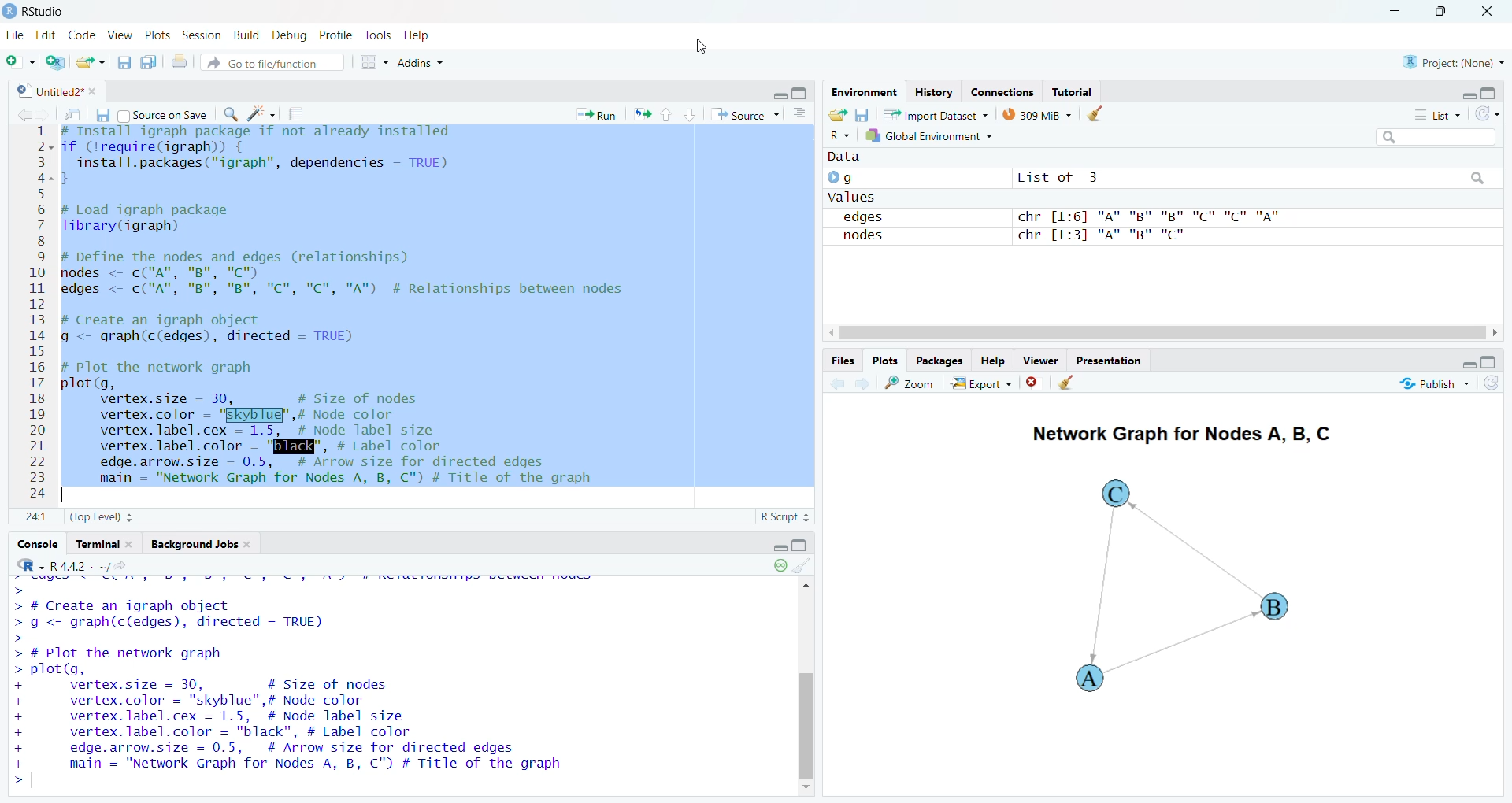 Image resolution: width=1512 pixels, height=803 pixels. What do you see at coordinates (375, 35) in the screenshot?
I see `Tools` at bounding box center [375, 35].